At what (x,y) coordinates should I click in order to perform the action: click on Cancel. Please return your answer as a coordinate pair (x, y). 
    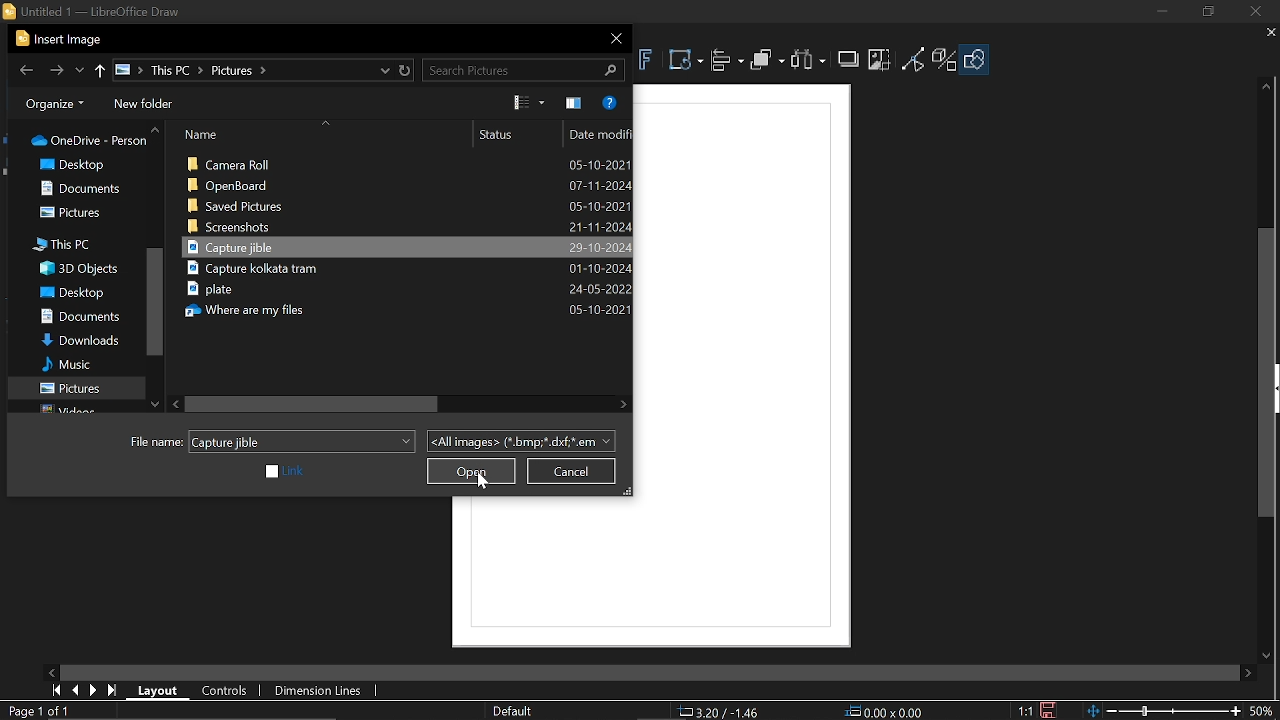
    Looking at the image, I should click on (570, 470).